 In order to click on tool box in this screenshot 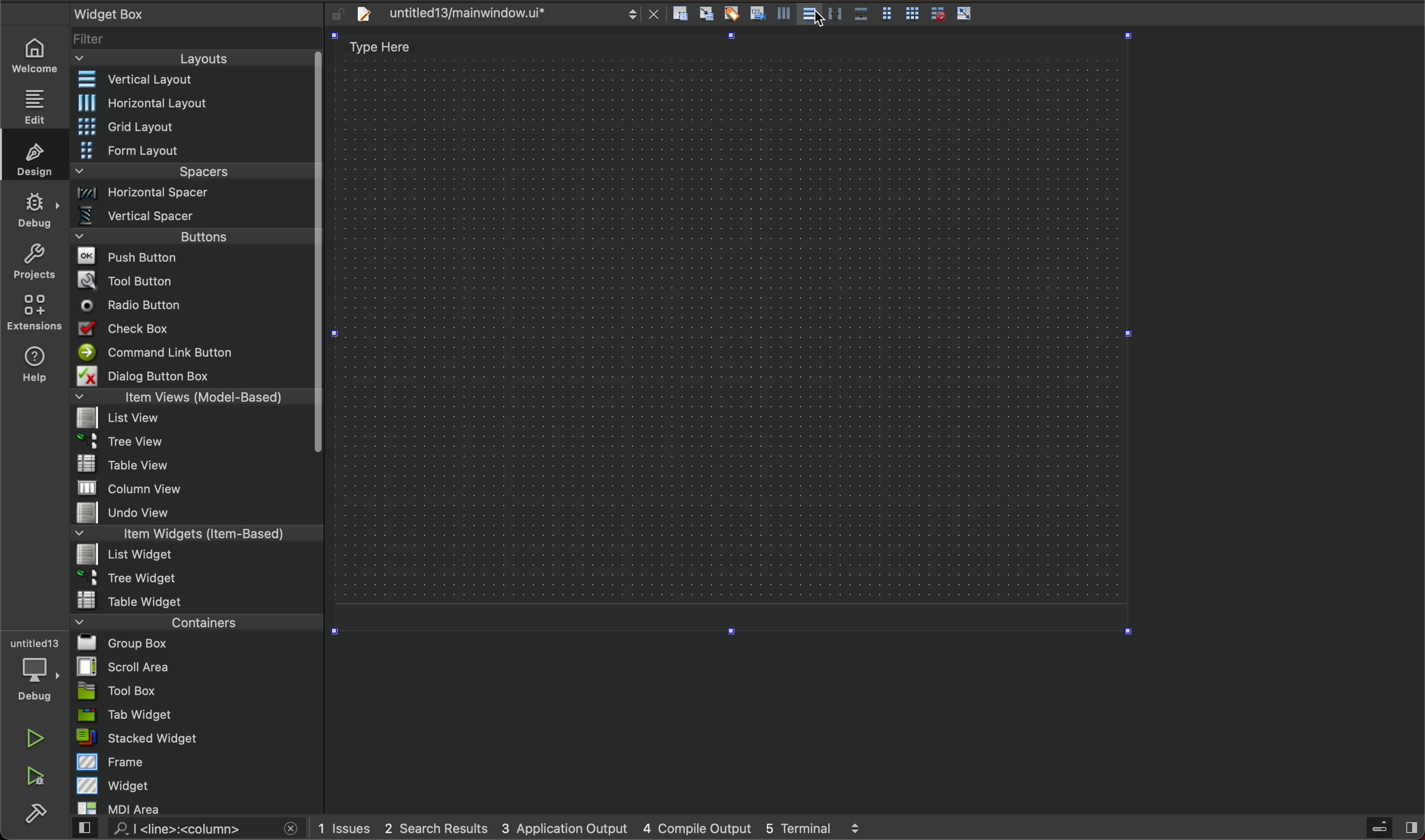, I will do `click(192, 691)`.